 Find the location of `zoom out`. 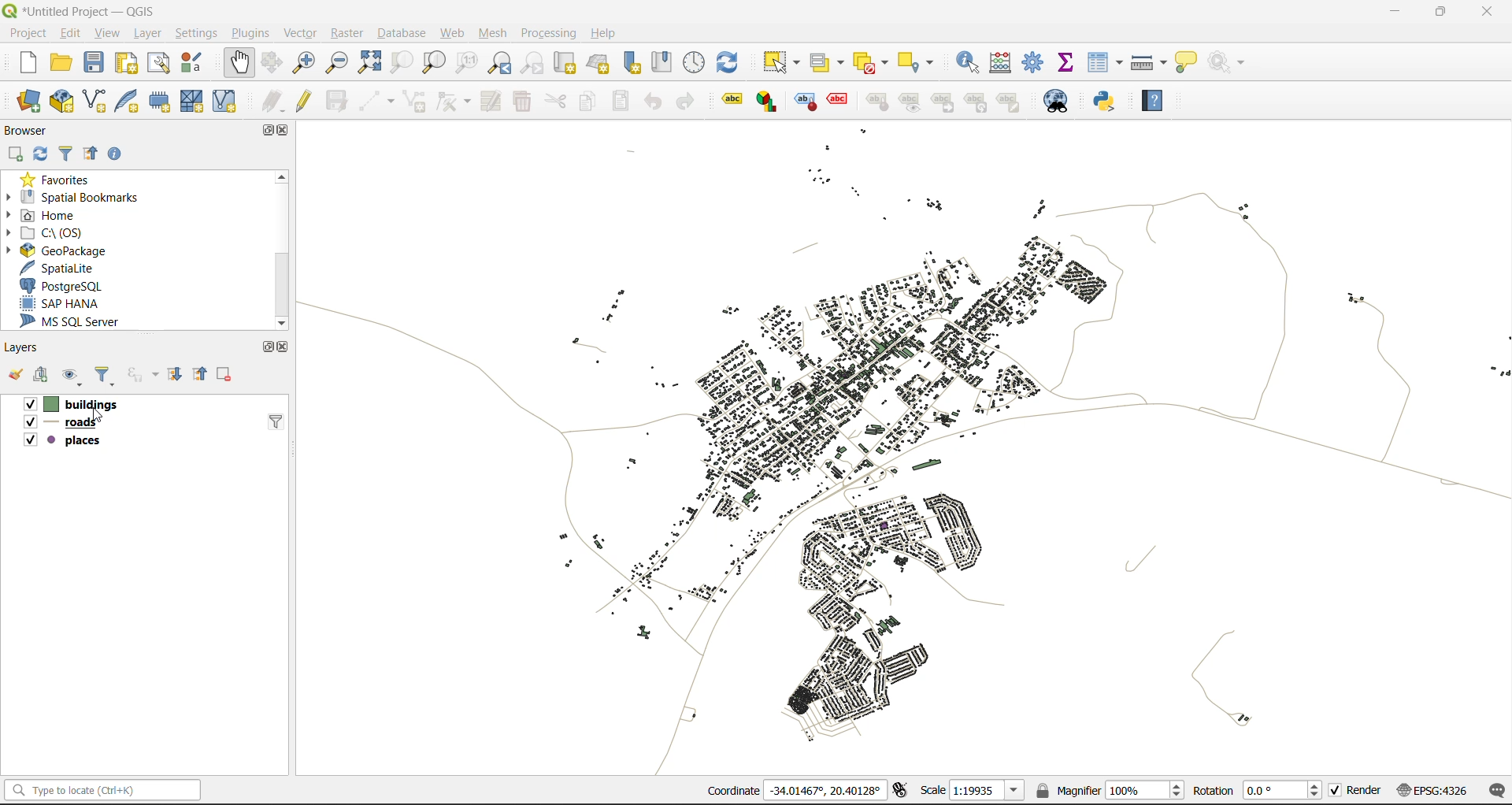

zoom out is located at coordinates (339, 63).